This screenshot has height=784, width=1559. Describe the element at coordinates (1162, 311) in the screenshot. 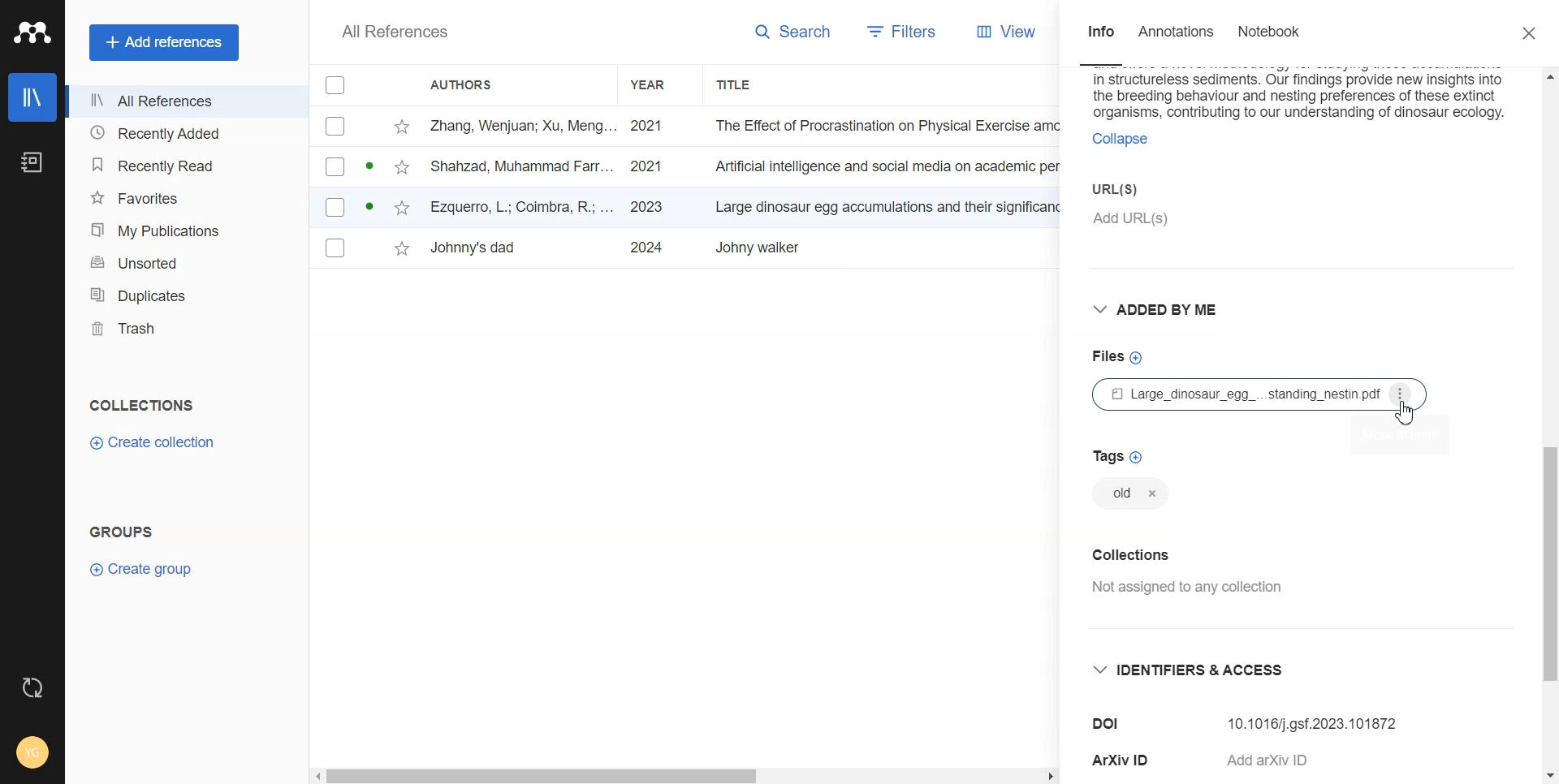

I see `Show/Hide Added by me` at that location.